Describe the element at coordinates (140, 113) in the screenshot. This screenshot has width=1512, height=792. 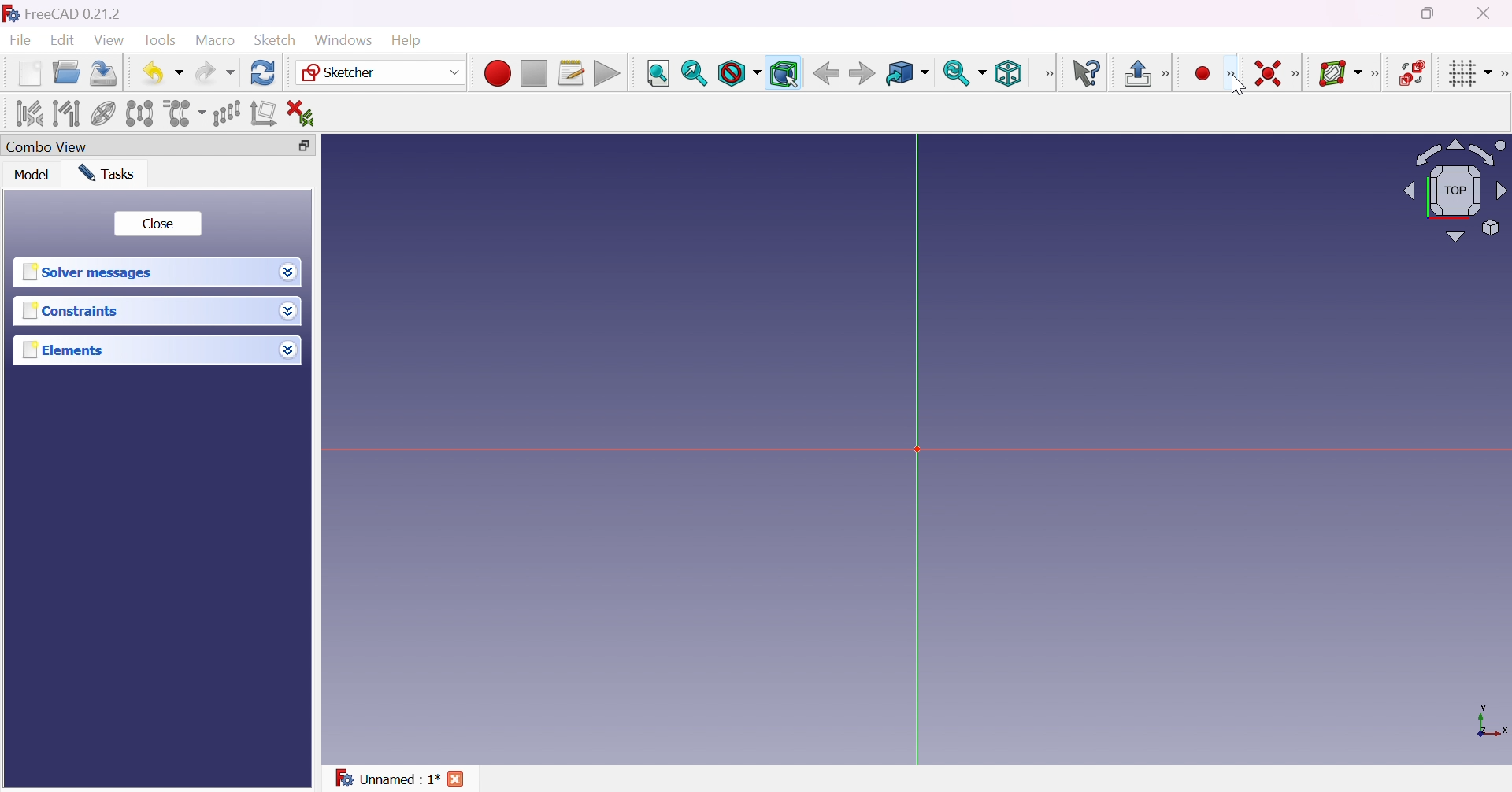
I see `Symmetry` at that location.